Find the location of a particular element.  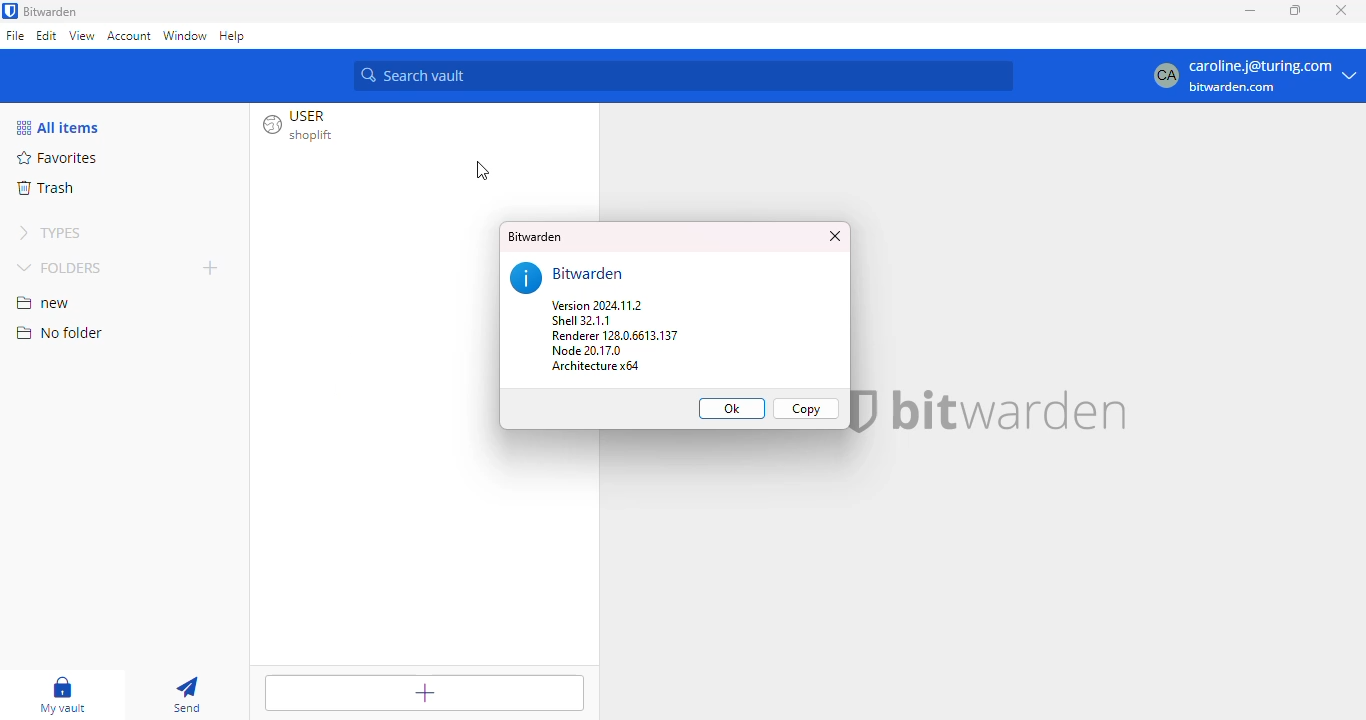

folders is located at coordinates (60, 267).